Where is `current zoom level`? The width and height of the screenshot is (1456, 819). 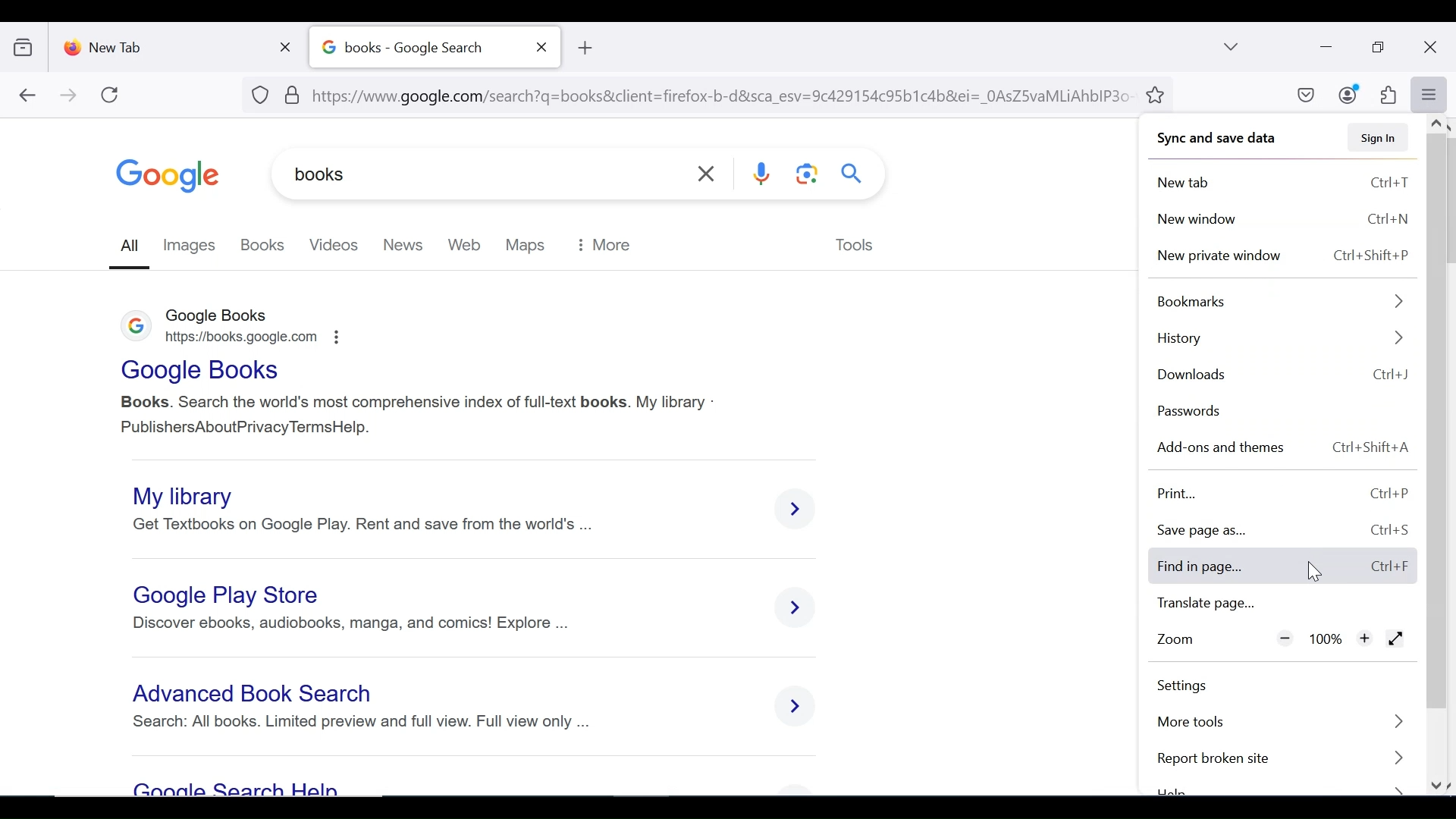
current zoom level is located at coordinates (1327, 639).